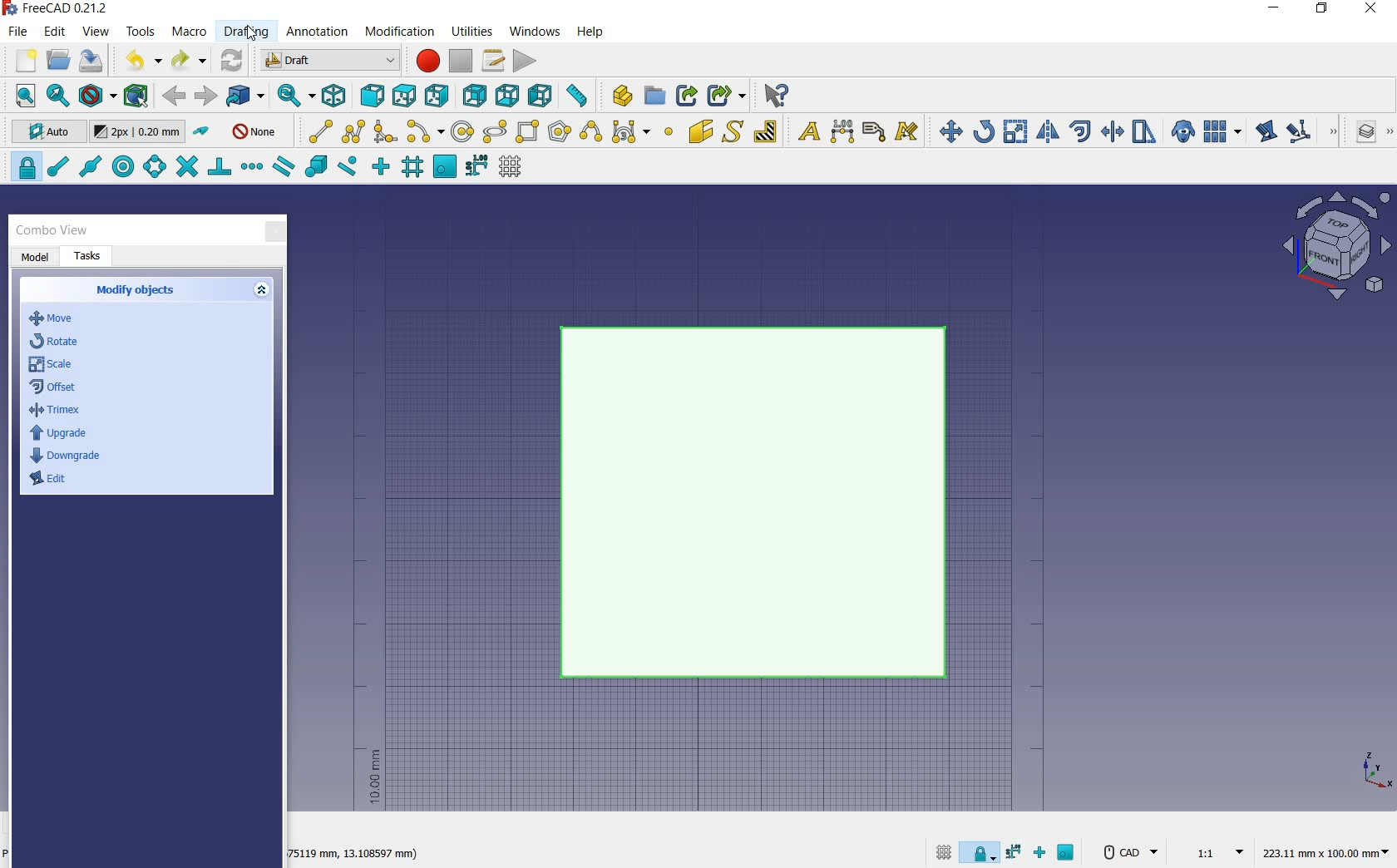  Describe the element at coordinates (58, 59) in the screenshot. I see `open` at that location.